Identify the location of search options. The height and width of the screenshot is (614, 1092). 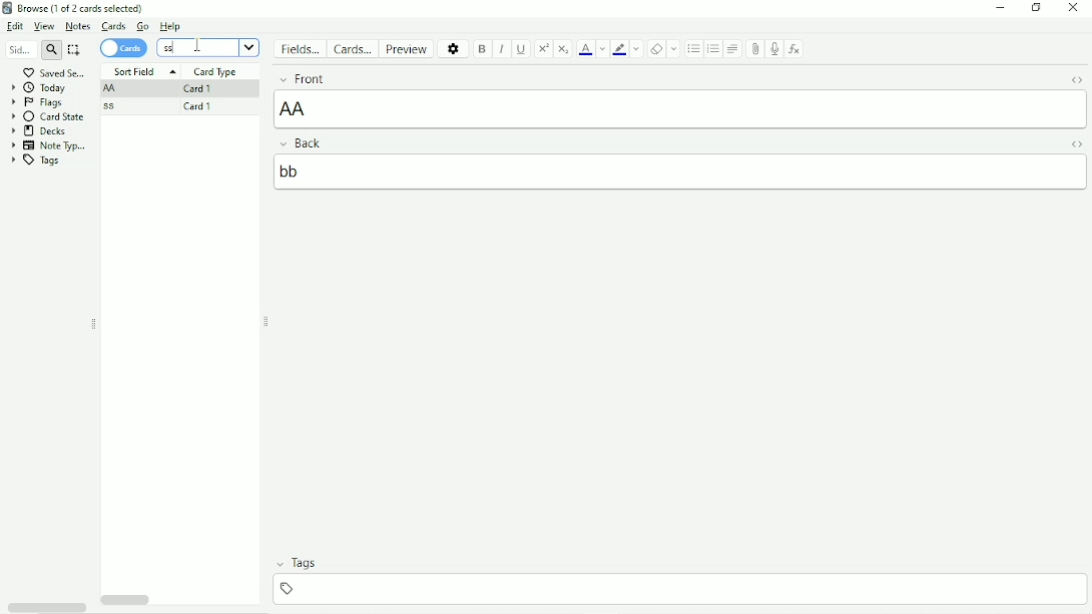
(250, 48).